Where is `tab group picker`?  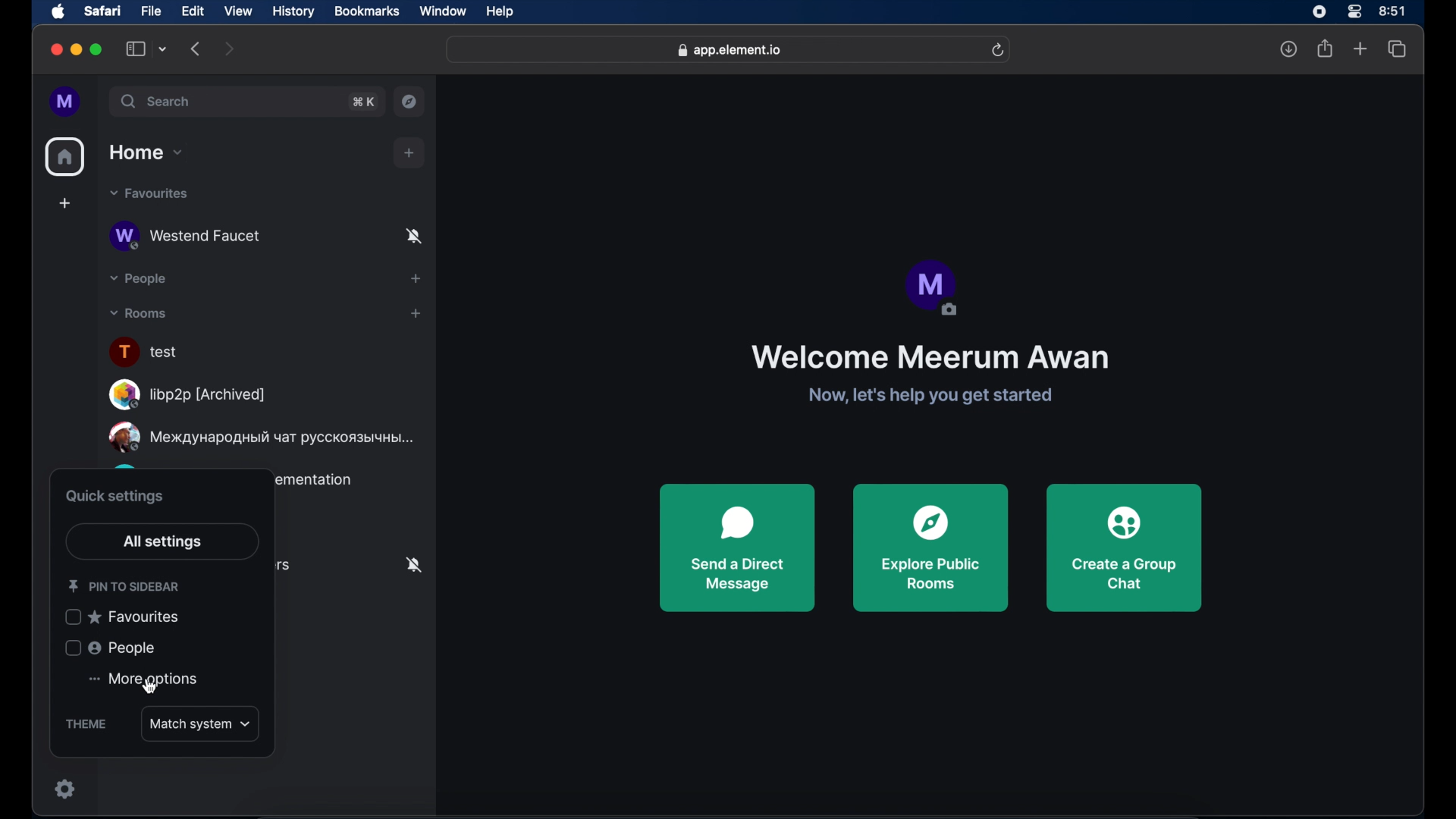 tab group picker is located at coordinates (163, 49).